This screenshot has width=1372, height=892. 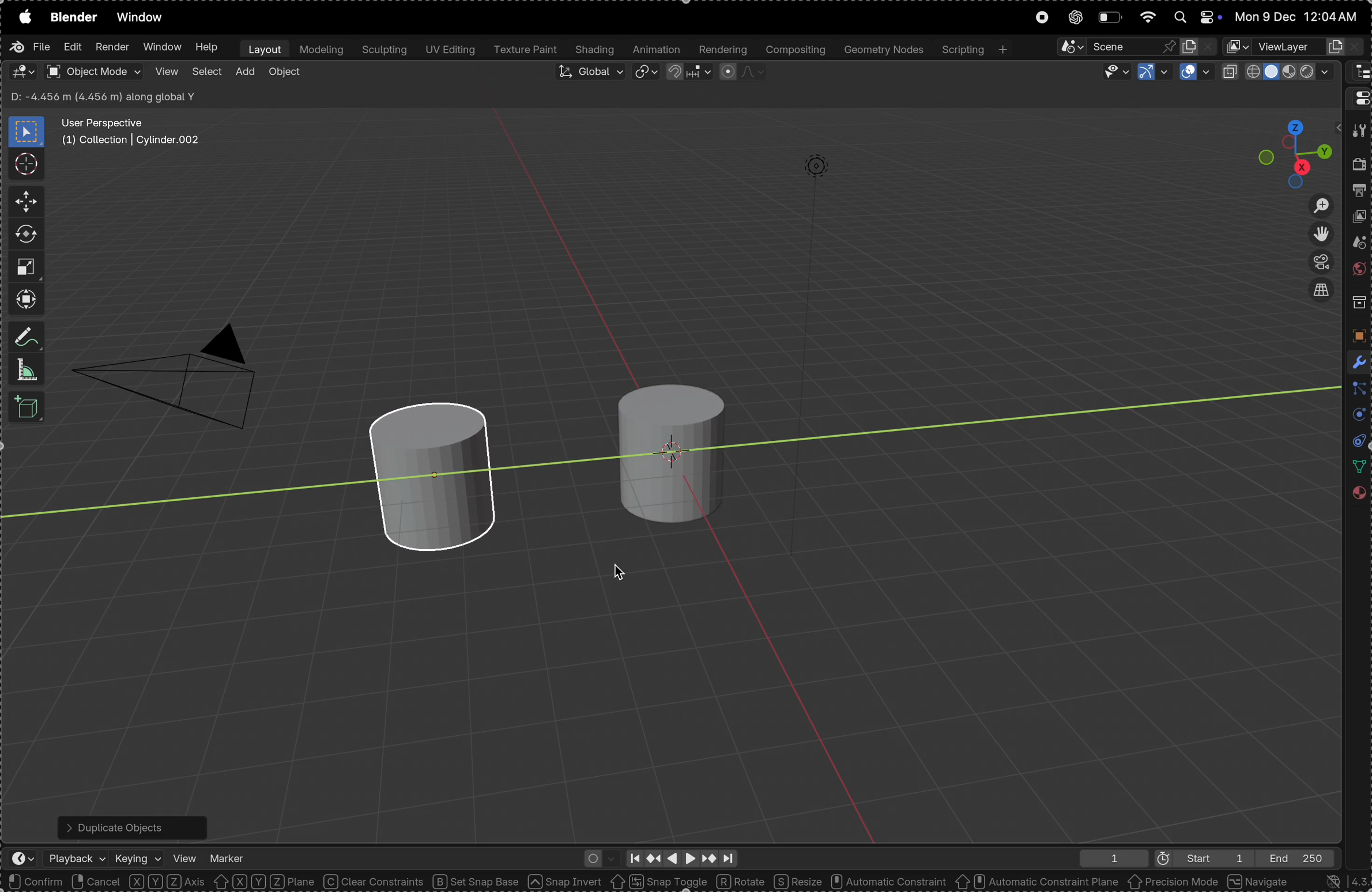 I want to click on snap invert, so click(x=566, y=882).